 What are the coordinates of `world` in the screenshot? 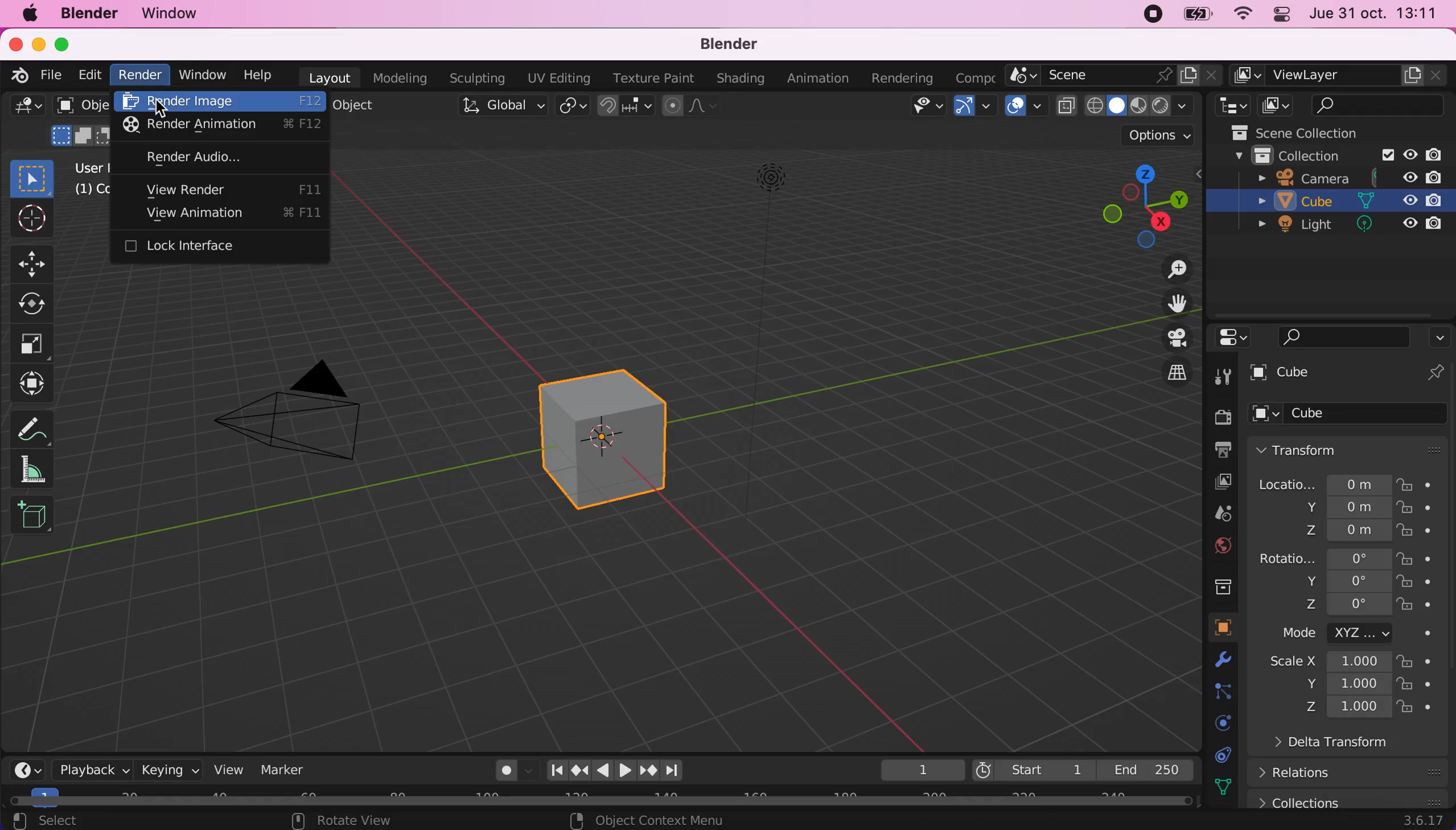 It's located at (1222, 546).